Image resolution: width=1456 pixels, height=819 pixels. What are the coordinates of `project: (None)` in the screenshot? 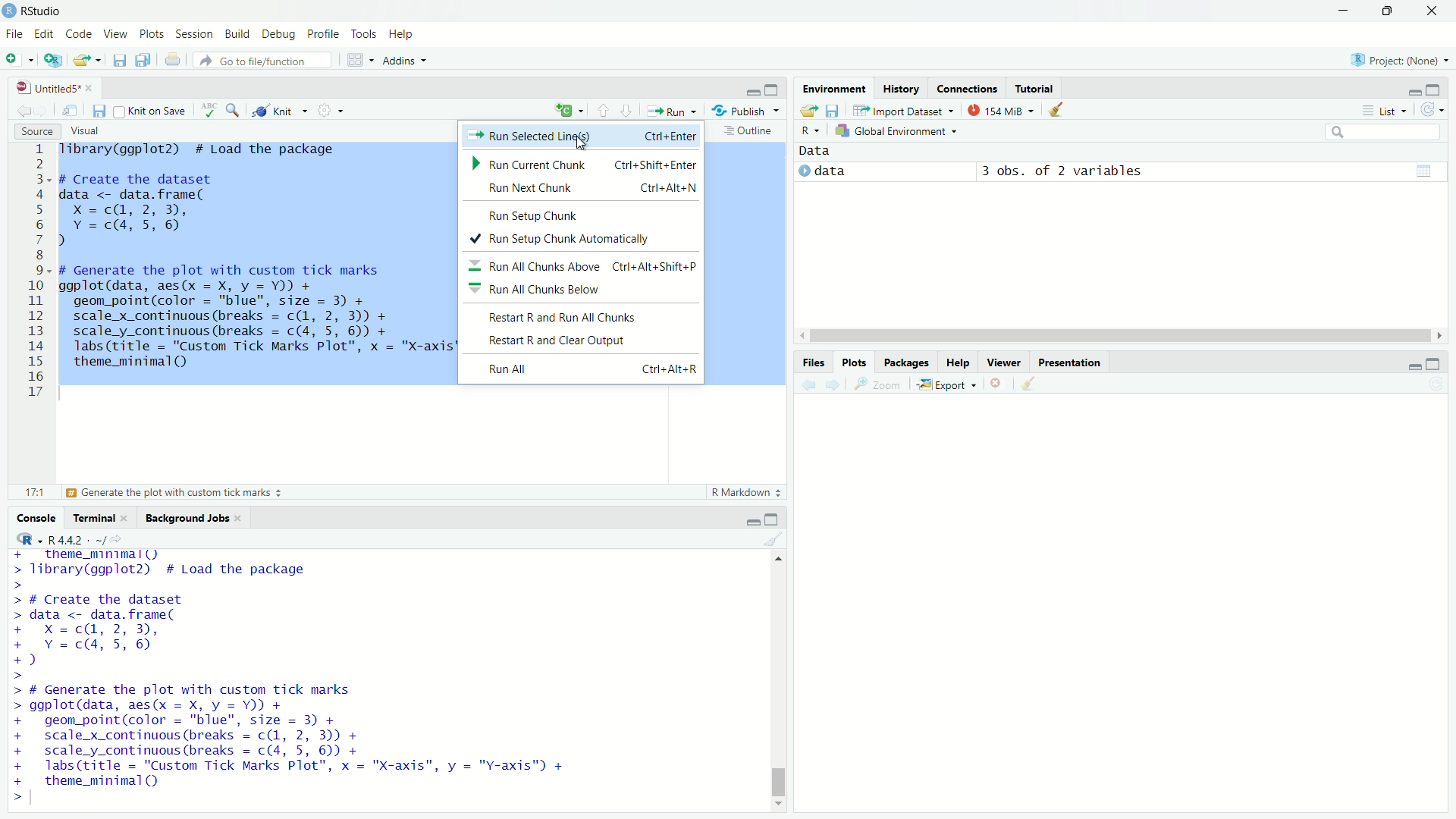 It's located at (1398, 56).